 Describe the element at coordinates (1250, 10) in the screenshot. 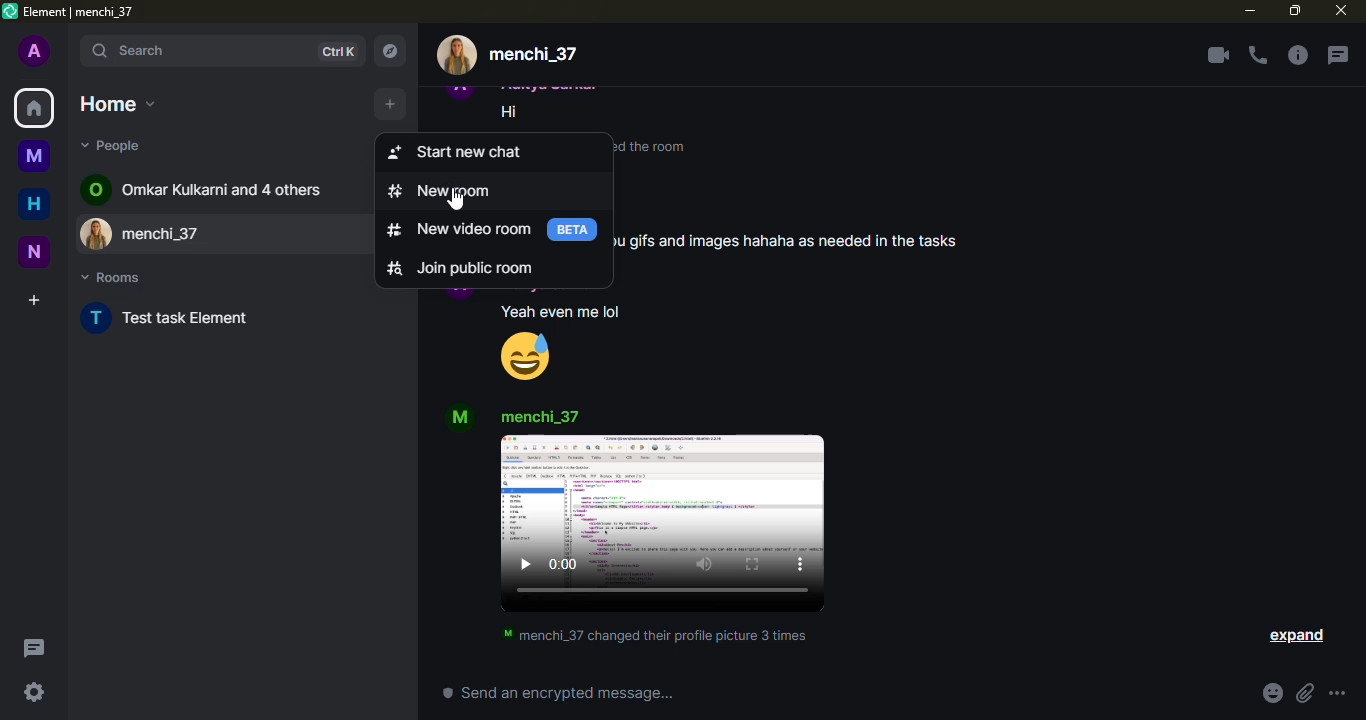

I see `minimize` at that location.